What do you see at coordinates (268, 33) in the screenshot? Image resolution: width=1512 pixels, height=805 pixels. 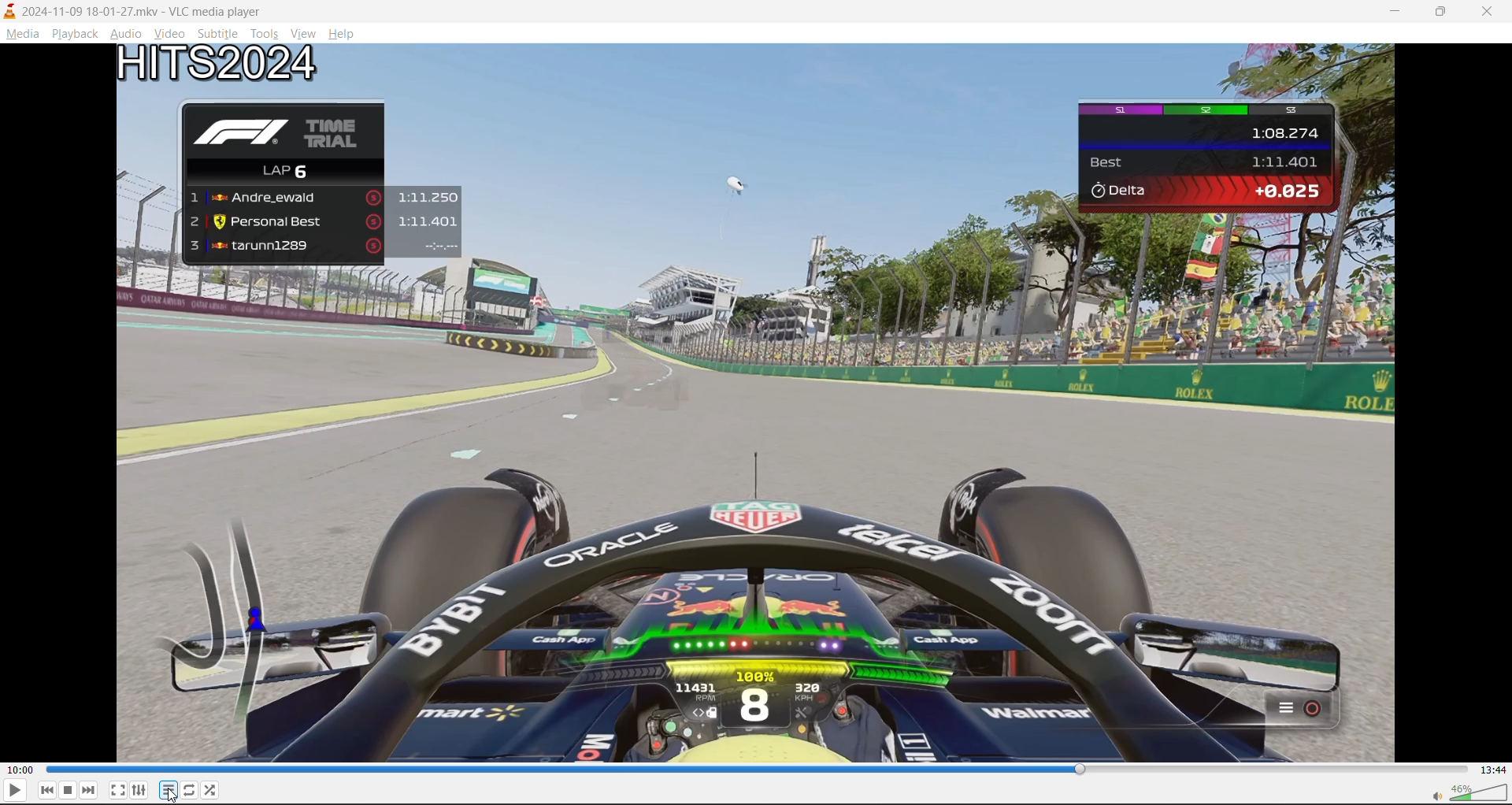 I see `tools` at bounding box center [268, 33].